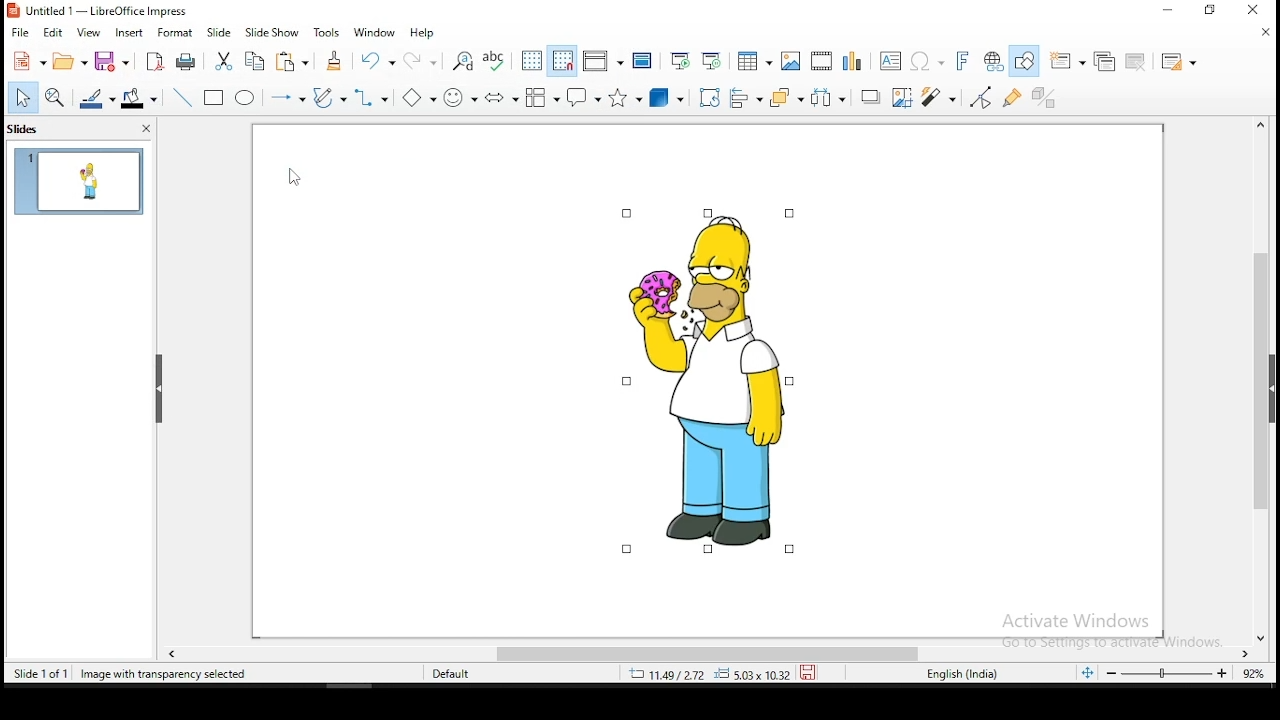 This screenshot has width=1280, height=720. Describe the element at coordinates (1259, 34) in the screenshot. I see `close` at that location.